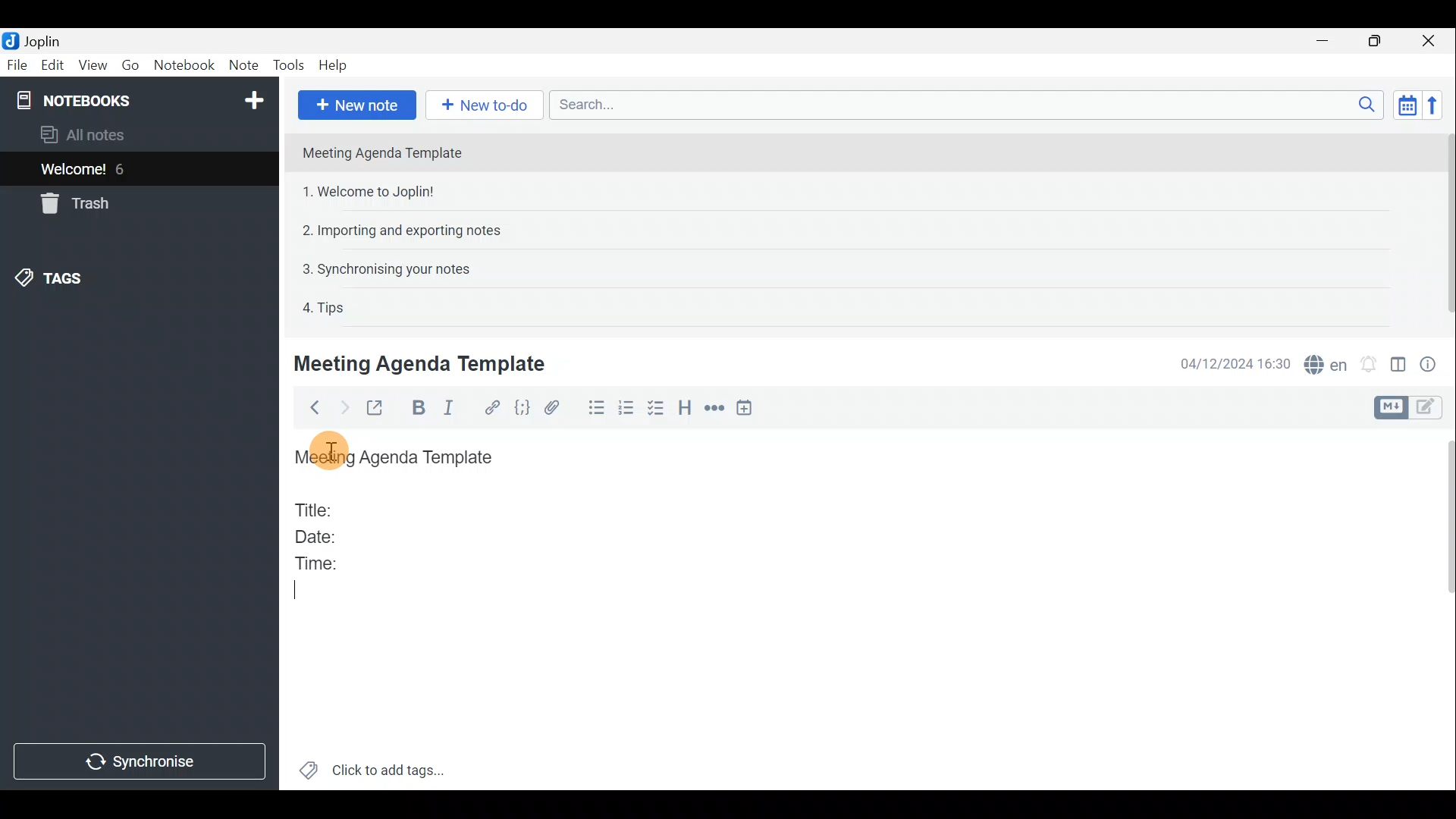 This screenshot has height=819, width=1456. Describe the element at coordinates (416, 408) in the screenshot. I see `Bold` at that location.